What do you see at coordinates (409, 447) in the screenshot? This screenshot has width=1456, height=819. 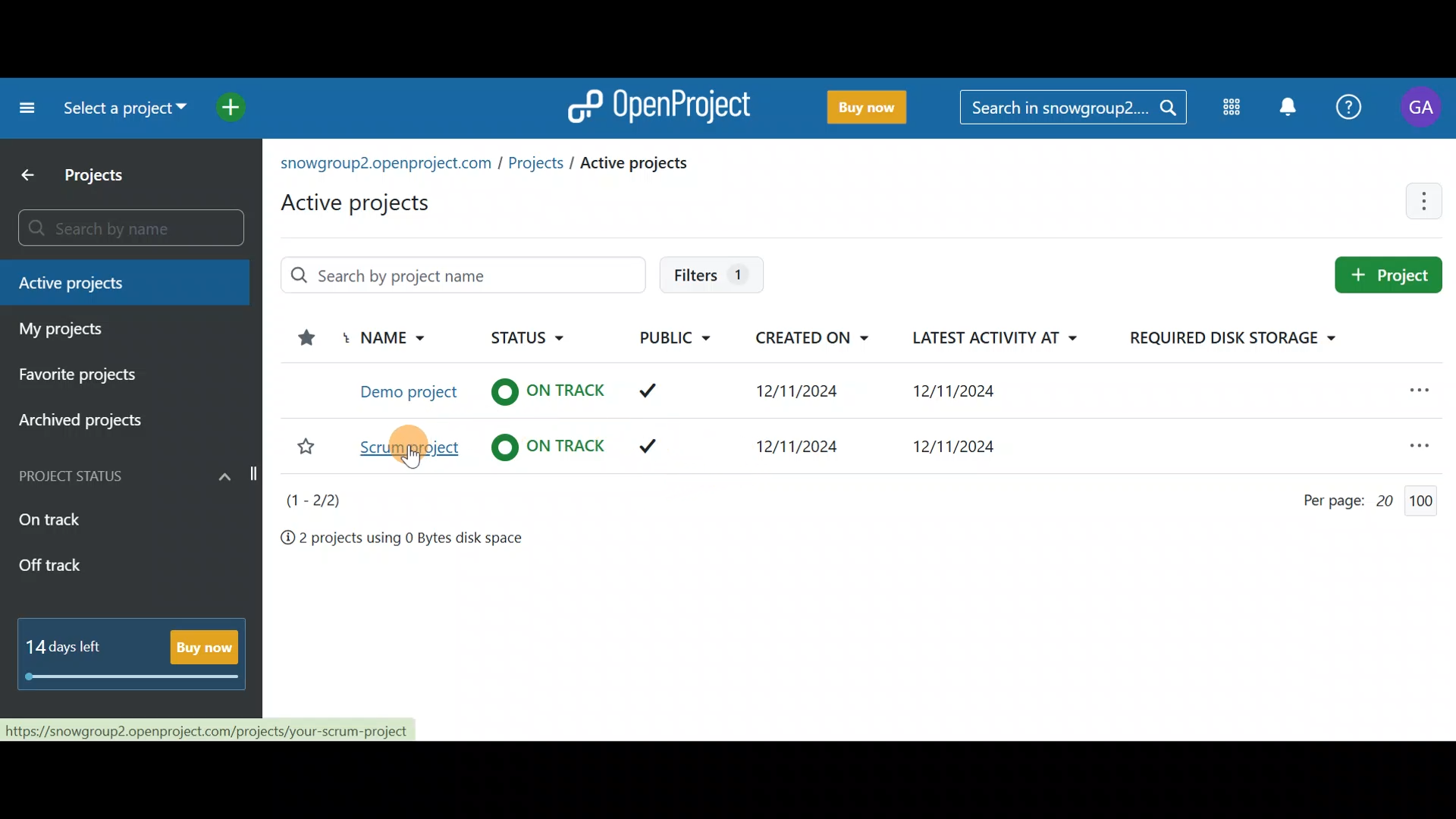 I see `Project 2` at bounding box center [409, 447].